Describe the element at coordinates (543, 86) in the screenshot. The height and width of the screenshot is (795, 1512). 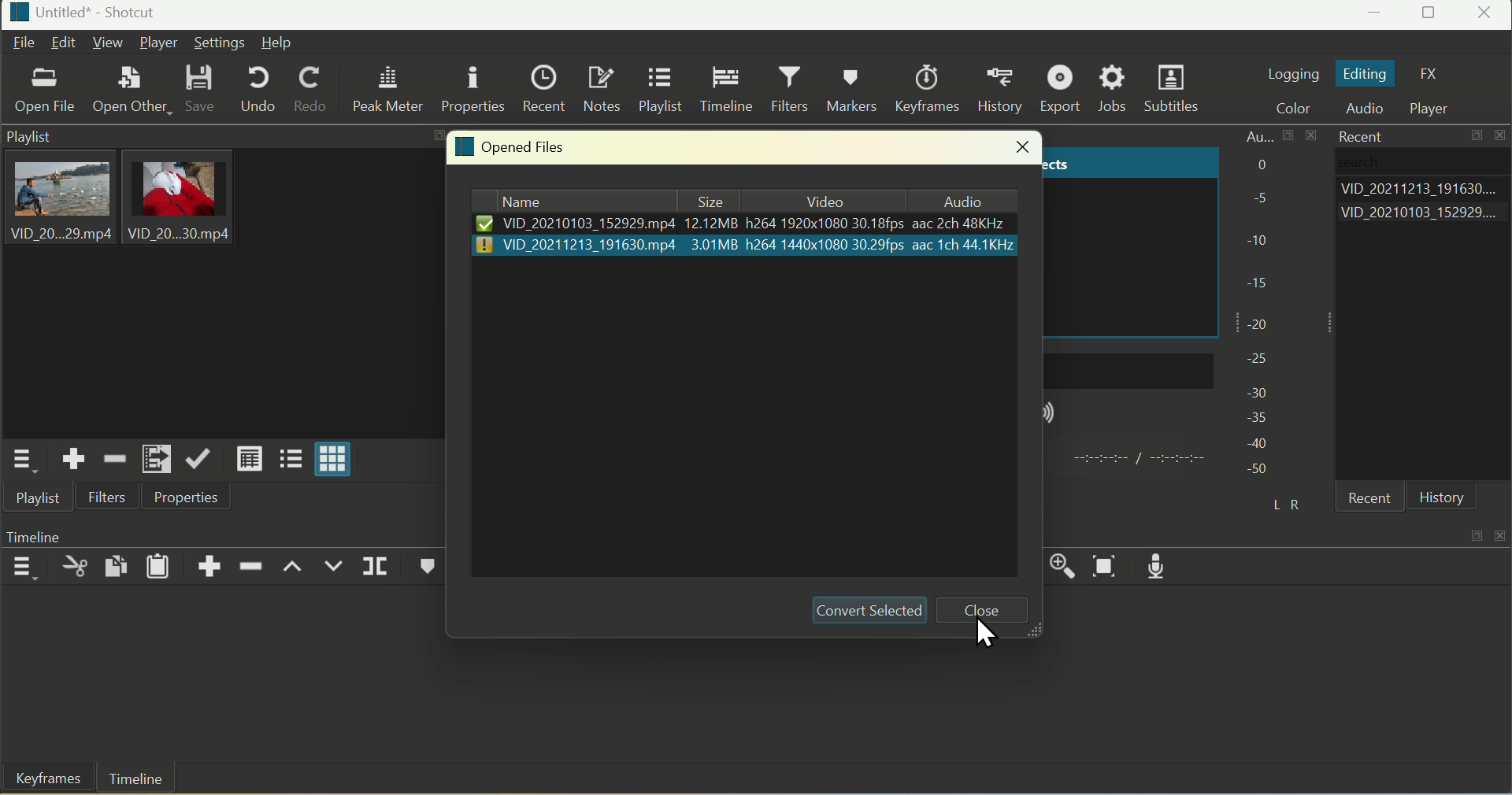
I see `Recent` at that location.